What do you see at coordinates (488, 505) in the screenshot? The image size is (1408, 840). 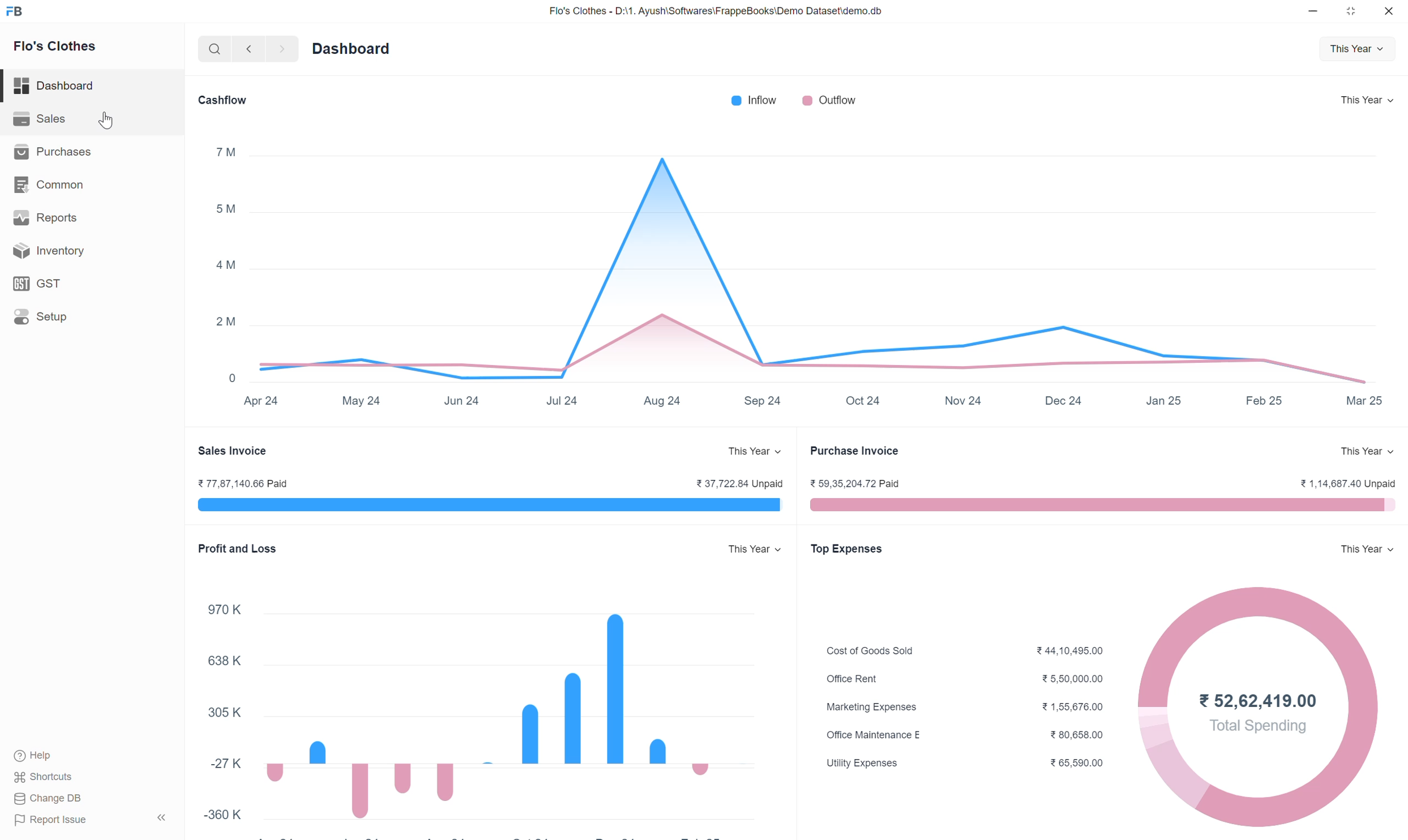 I see `sales invoice graph` at bounding box center [488, 505].